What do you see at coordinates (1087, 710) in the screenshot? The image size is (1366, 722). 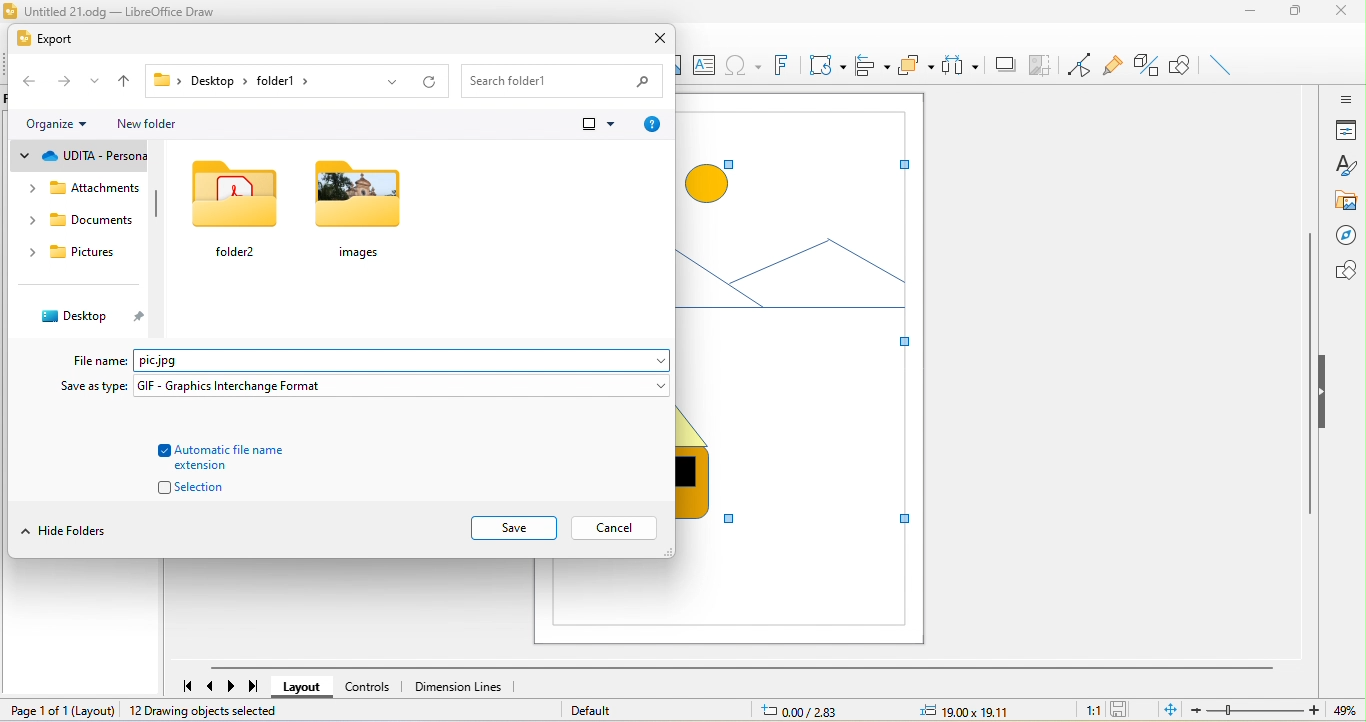 I see `1:1` at bounding box center [1087, 710].